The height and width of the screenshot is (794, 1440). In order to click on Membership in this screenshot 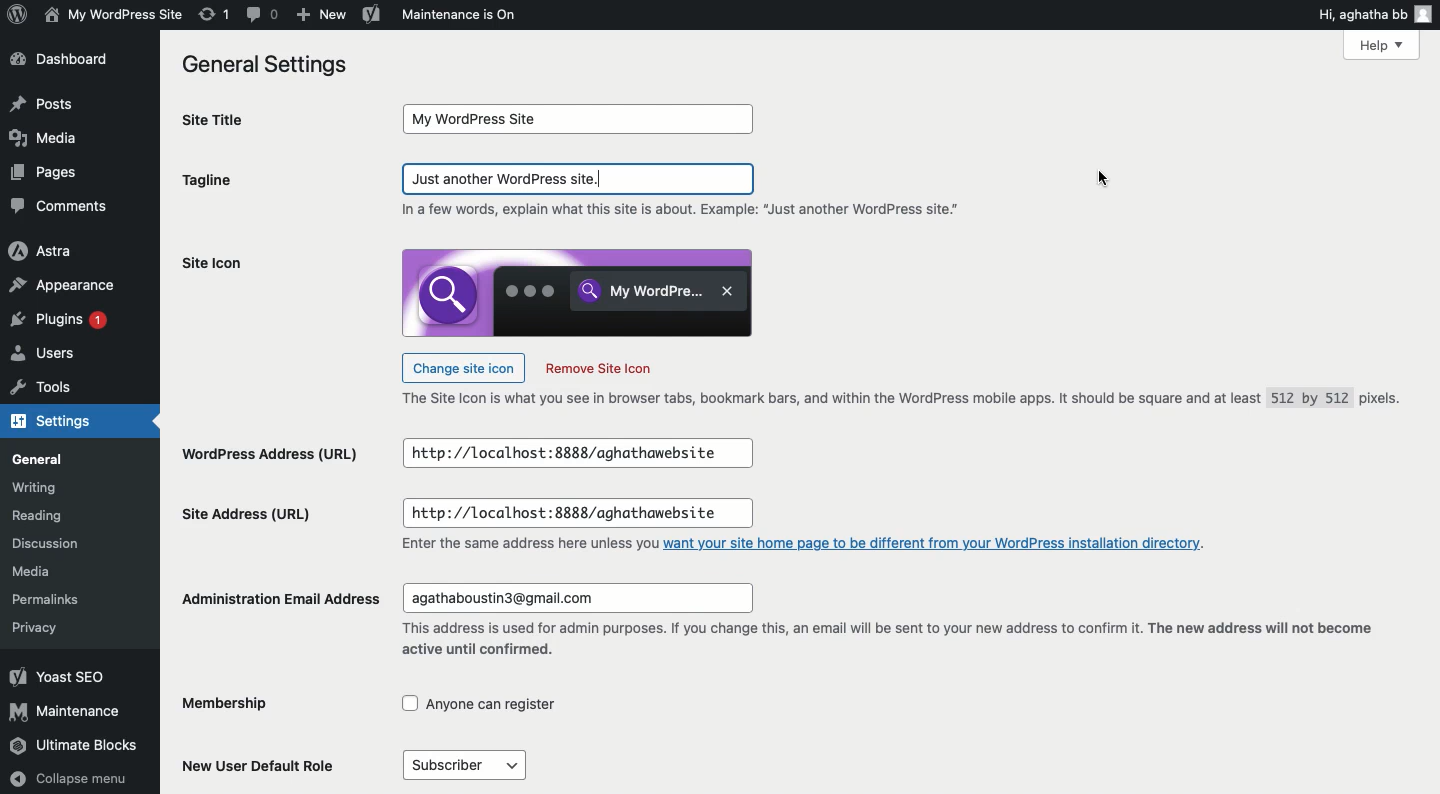, I will do `click(243, 705)`.